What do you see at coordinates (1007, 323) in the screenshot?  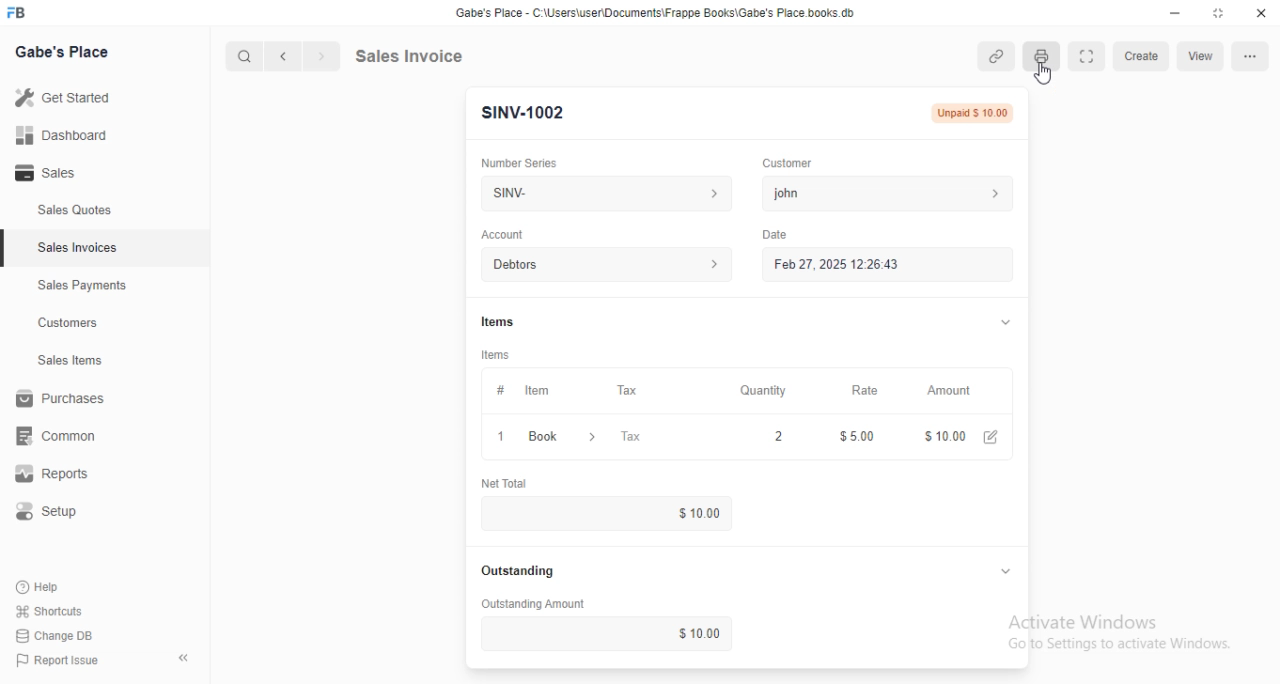 I see `toggle expand/collapse` at bounding box center [1007, 323].